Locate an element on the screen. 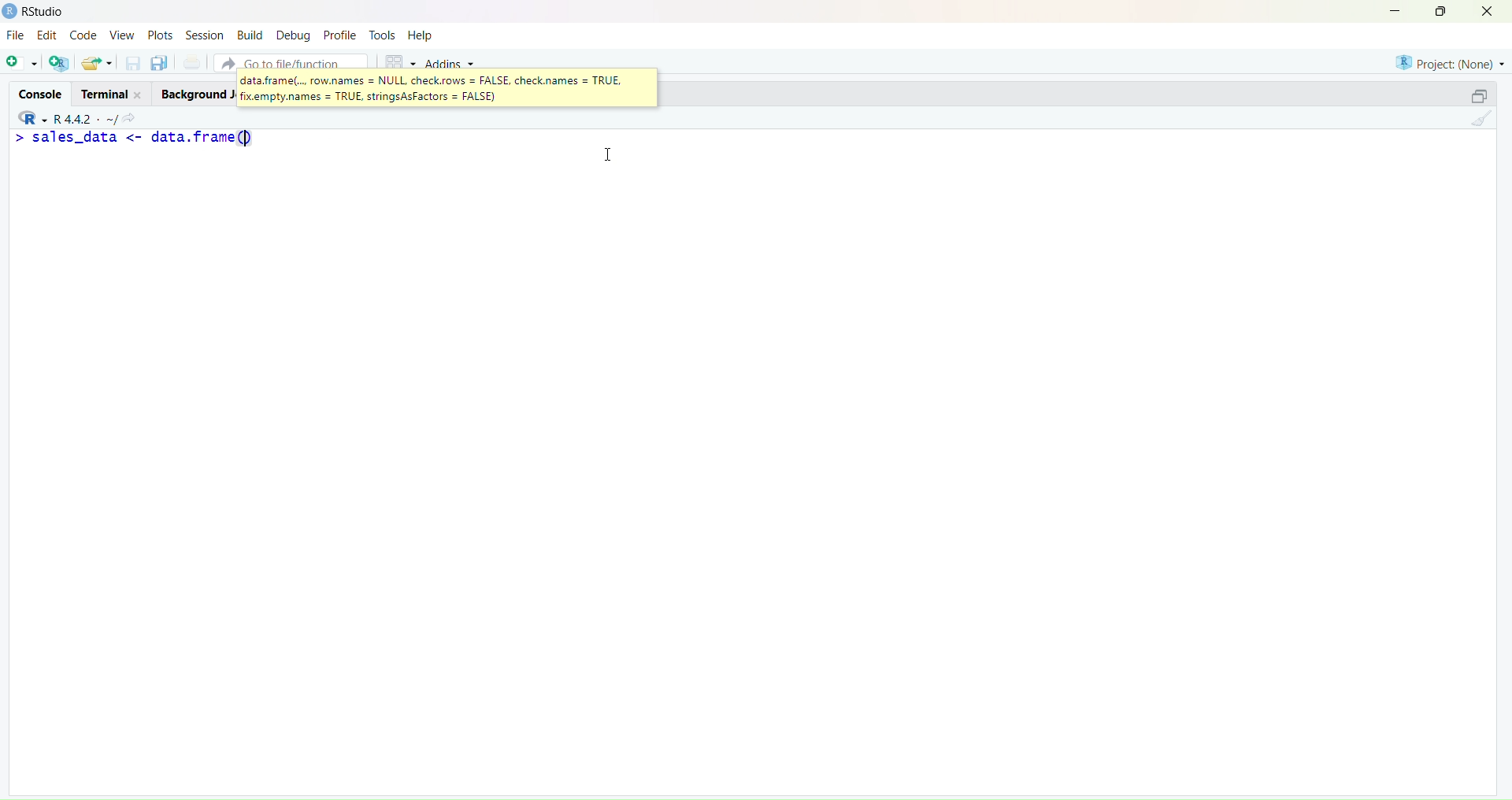 The width and height of the screenshot is (1512, 800). cursor is located at coordinates (612, 158).